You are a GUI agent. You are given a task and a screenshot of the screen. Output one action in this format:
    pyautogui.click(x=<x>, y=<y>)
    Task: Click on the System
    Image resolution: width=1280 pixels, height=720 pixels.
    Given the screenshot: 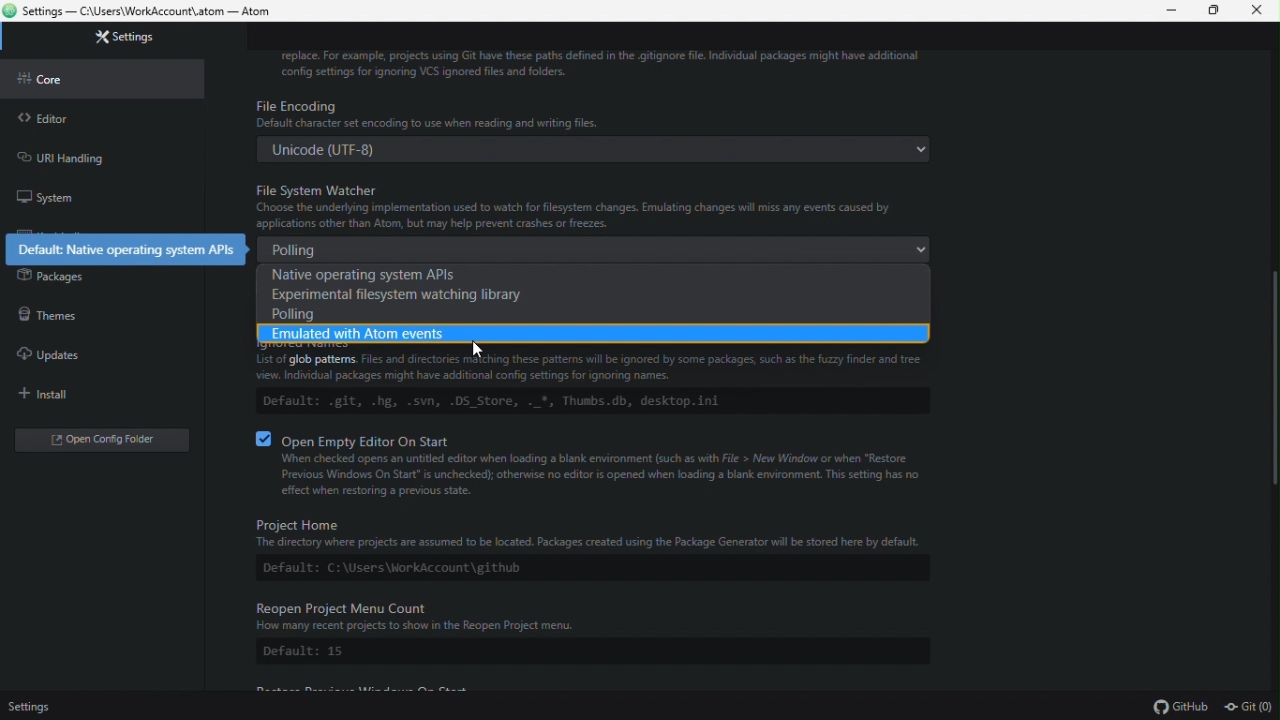 What is the action you would take?
    pyautogui.click(x=98, y=192)
    